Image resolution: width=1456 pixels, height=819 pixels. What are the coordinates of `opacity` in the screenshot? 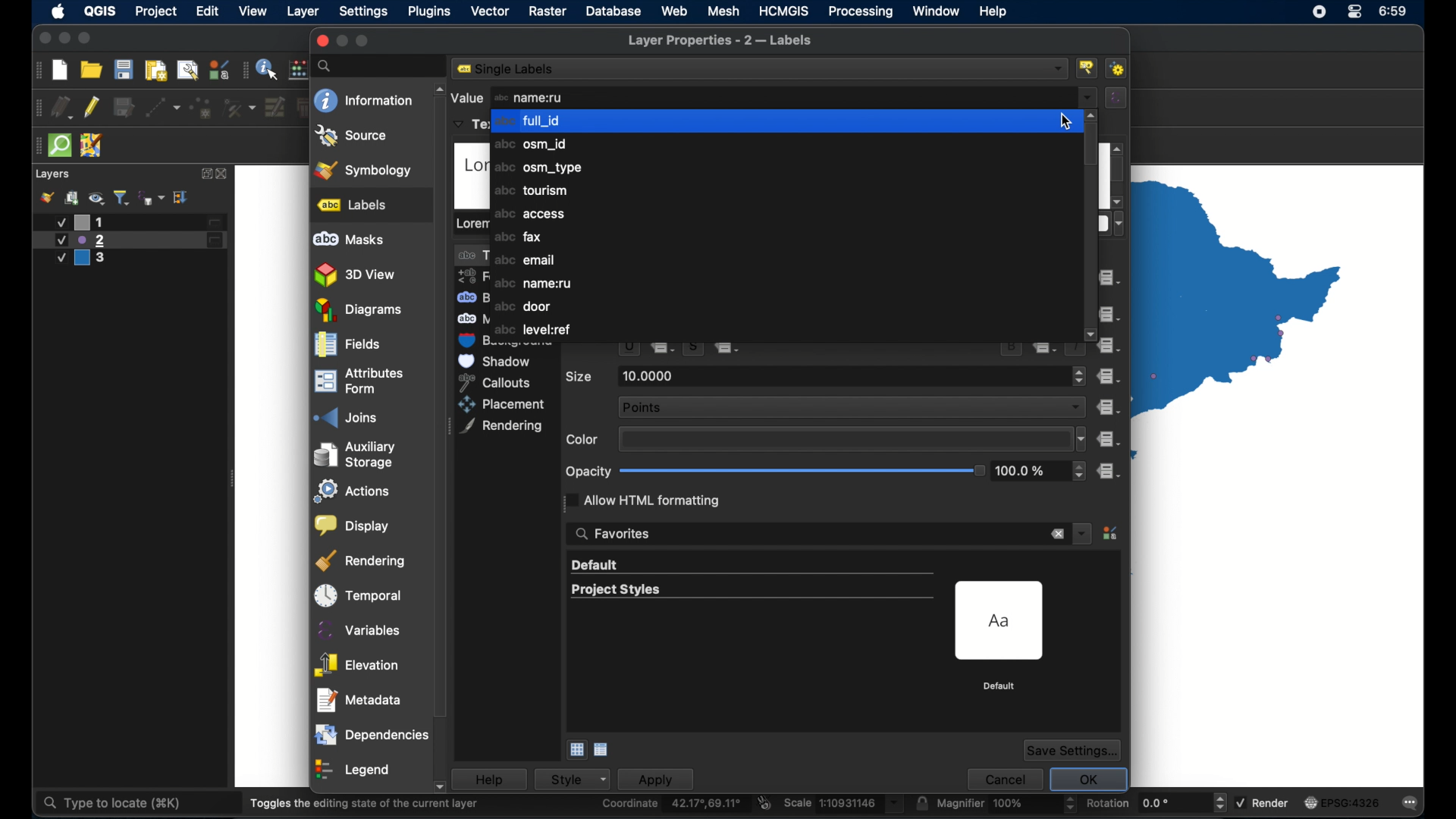 It's located at (588, 471).